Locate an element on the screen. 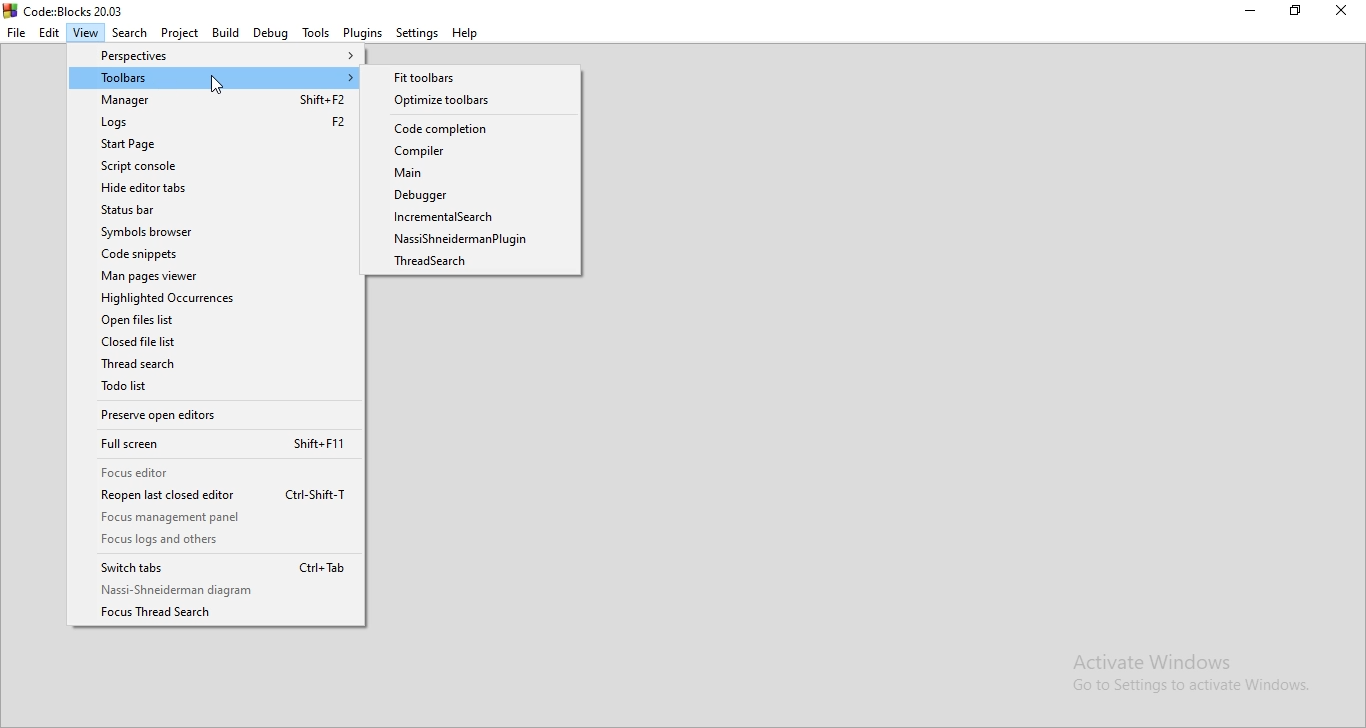 The height and width of the screenshot is (728, 1366). IncrementalSearch is located at coordinates (475, 218).